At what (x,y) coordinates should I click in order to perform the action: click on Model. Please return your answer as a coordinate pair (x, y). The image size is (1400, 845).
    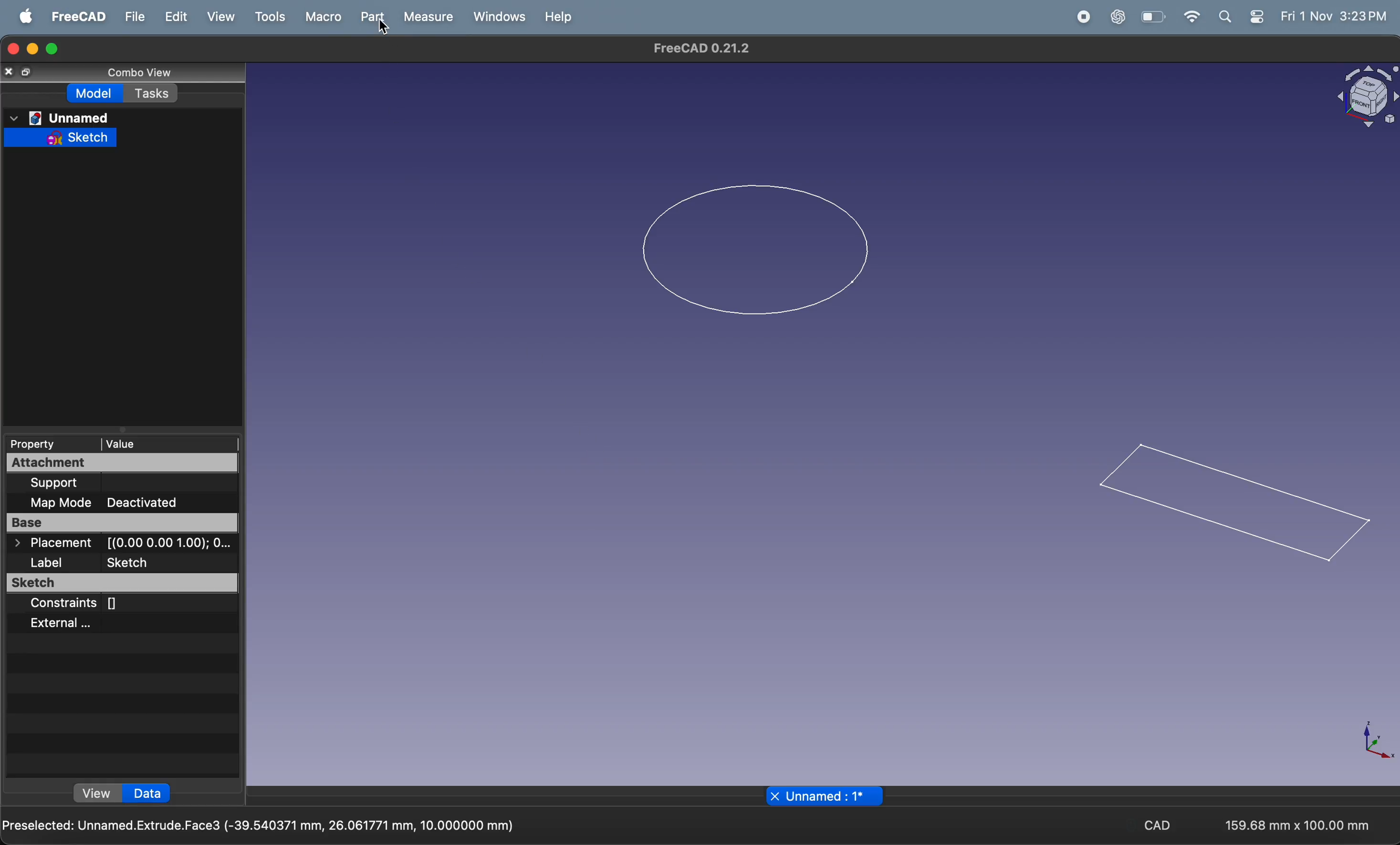
    Looking at the image, I should click on (95, 93).